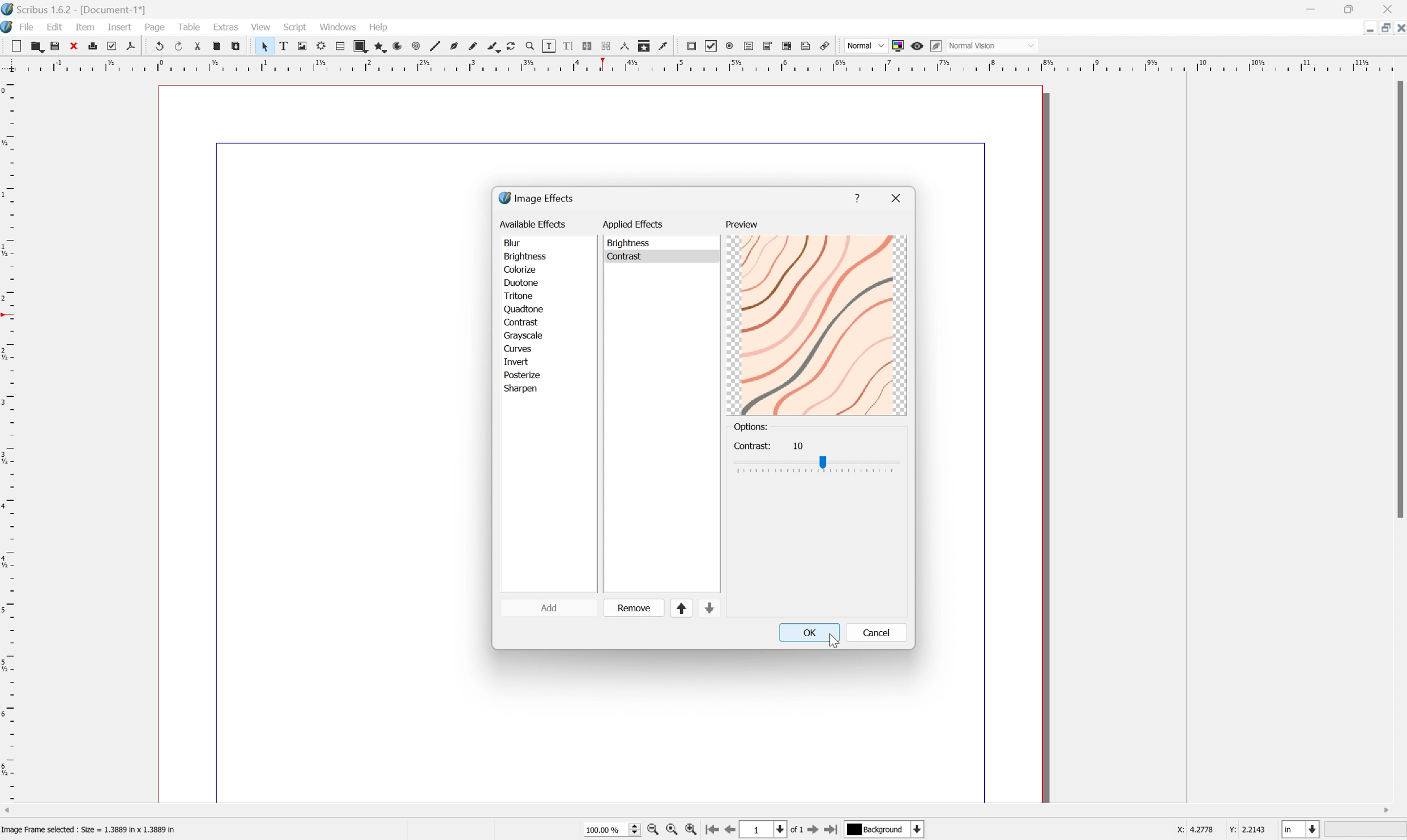  Describe the element at coordinates (524, 335) in the screenshot. I see `grayscale` at that location.